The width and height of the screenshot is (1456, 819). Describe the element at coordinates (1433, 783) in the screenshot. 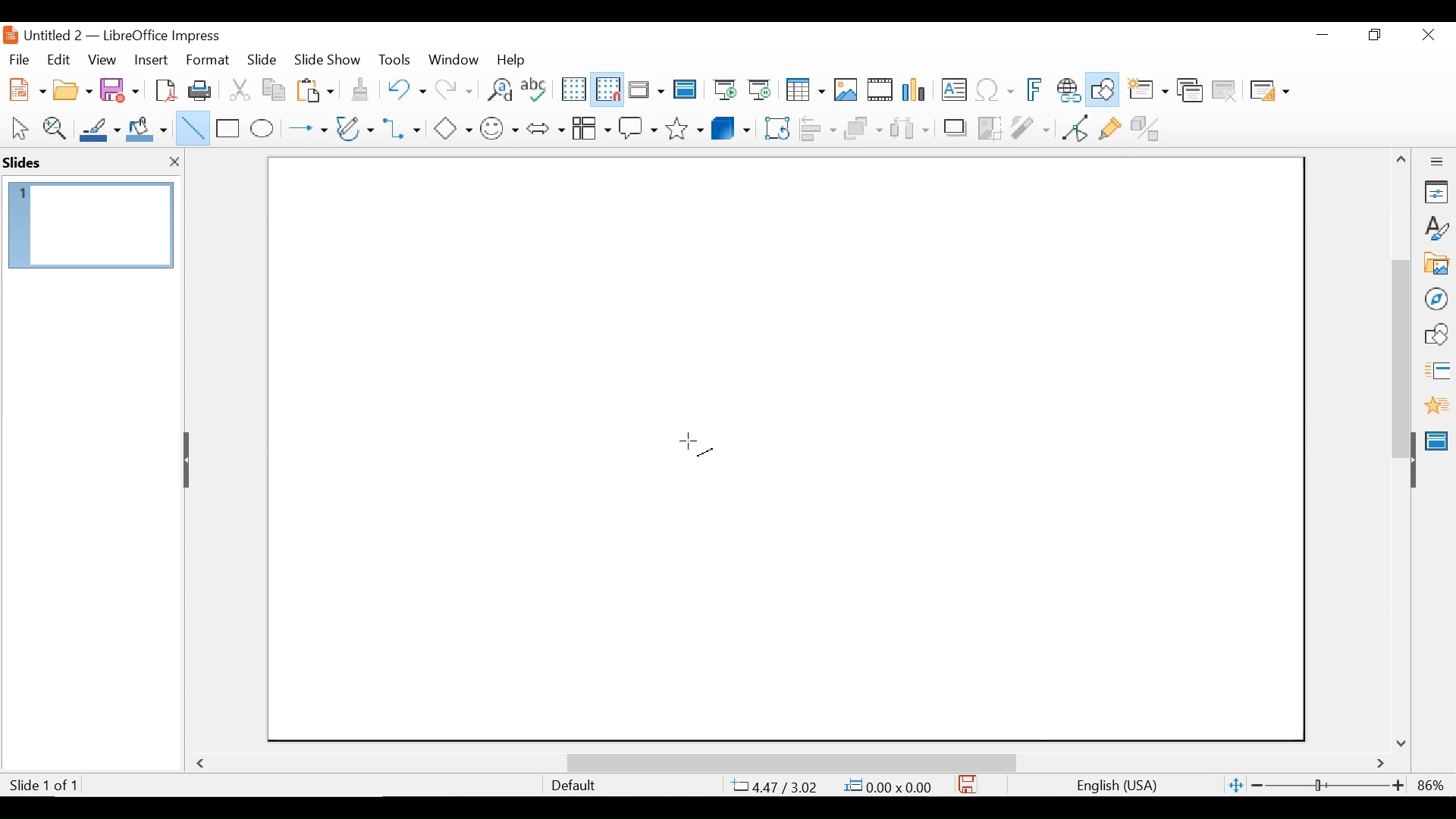

I see `Zoom factor` at that location.